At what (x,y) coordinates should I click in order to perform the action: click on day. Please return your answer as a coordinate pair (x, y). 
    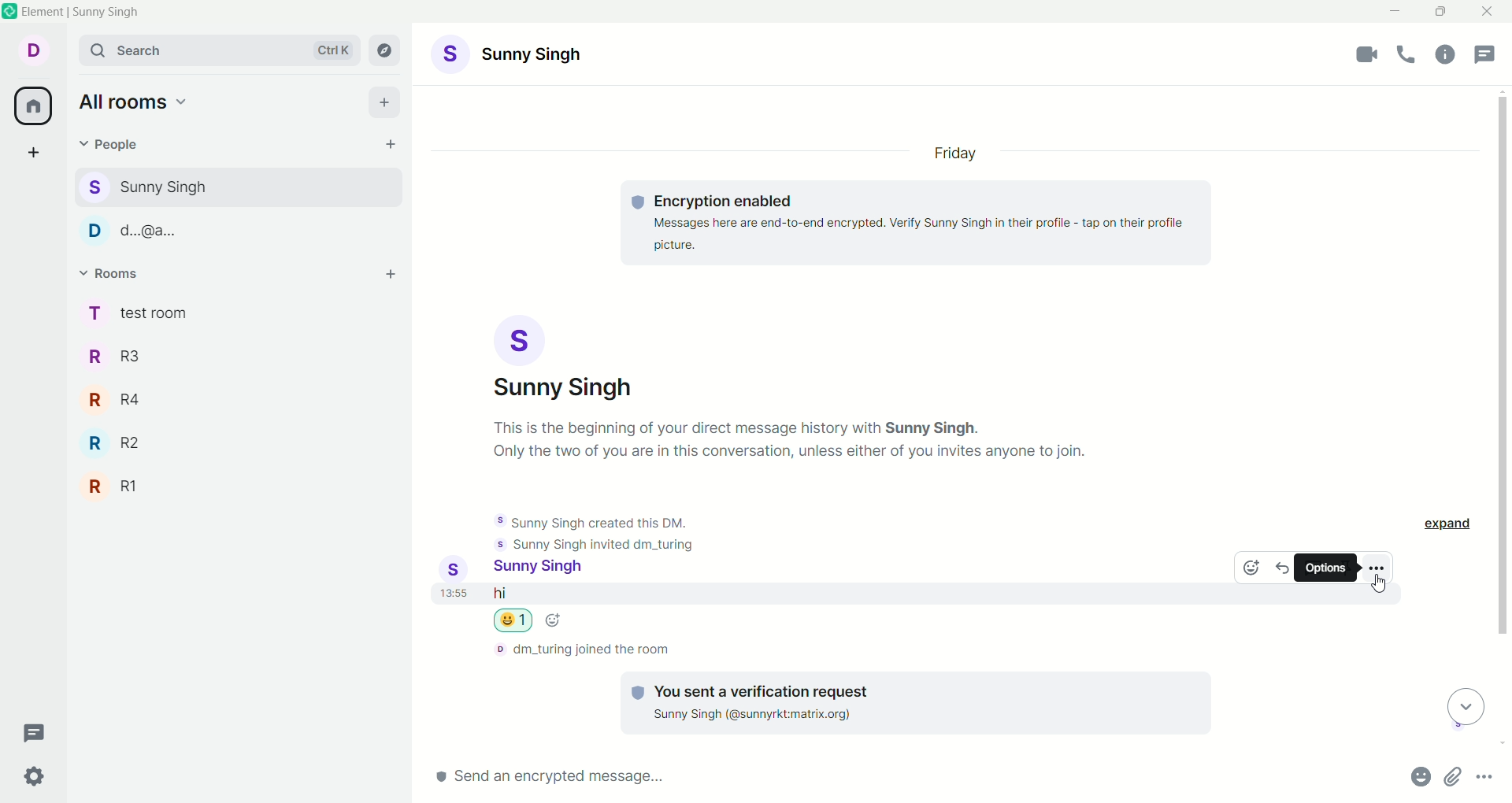
    Looking at the image, I should click on (960, 155).